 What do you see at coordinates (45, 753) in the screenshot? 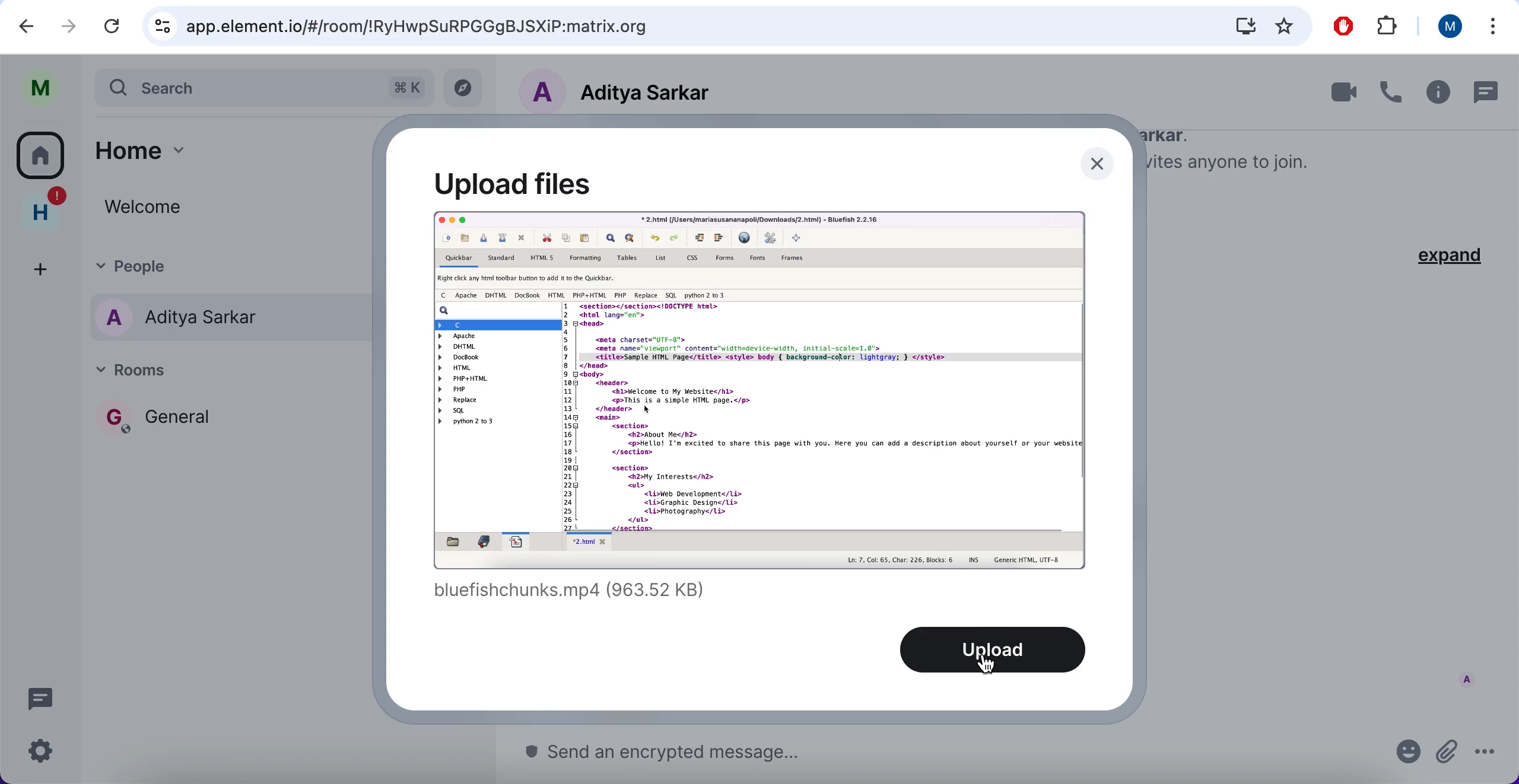
I see `configuration` at bounding box center [45, 753].